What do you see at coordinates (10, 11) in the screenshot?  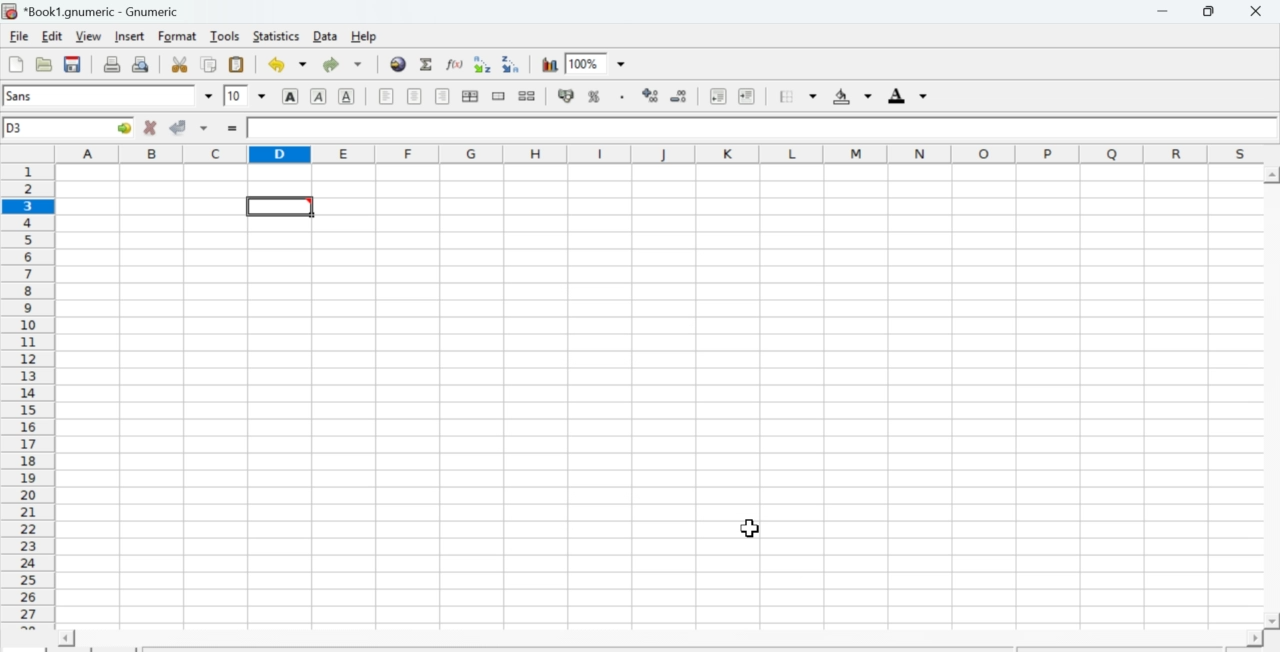 I see `icon` at bounding box center [10, 11].